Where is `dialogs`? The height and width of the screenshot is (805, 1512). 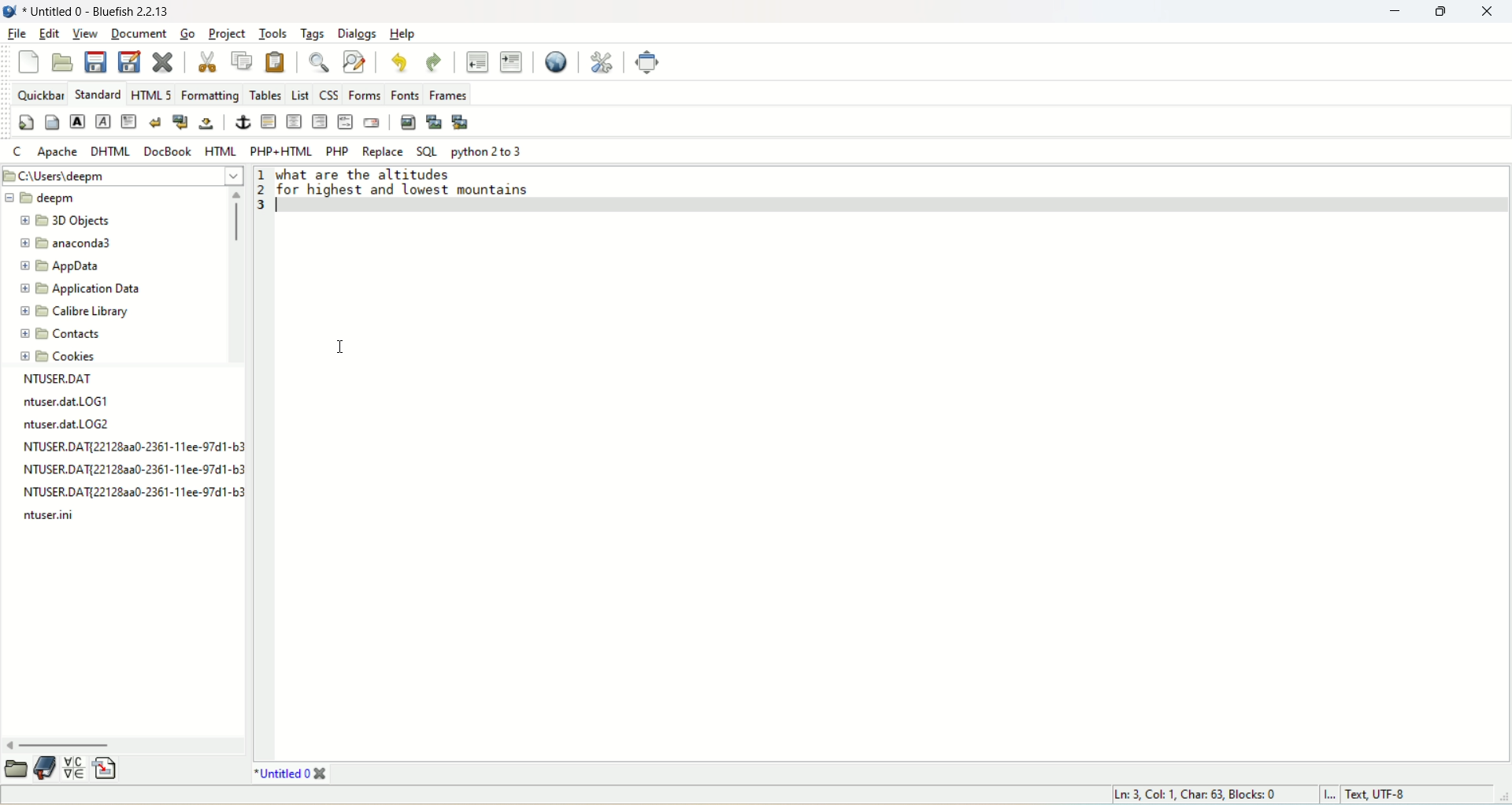 dialogs is located at coordinates (354, 34).